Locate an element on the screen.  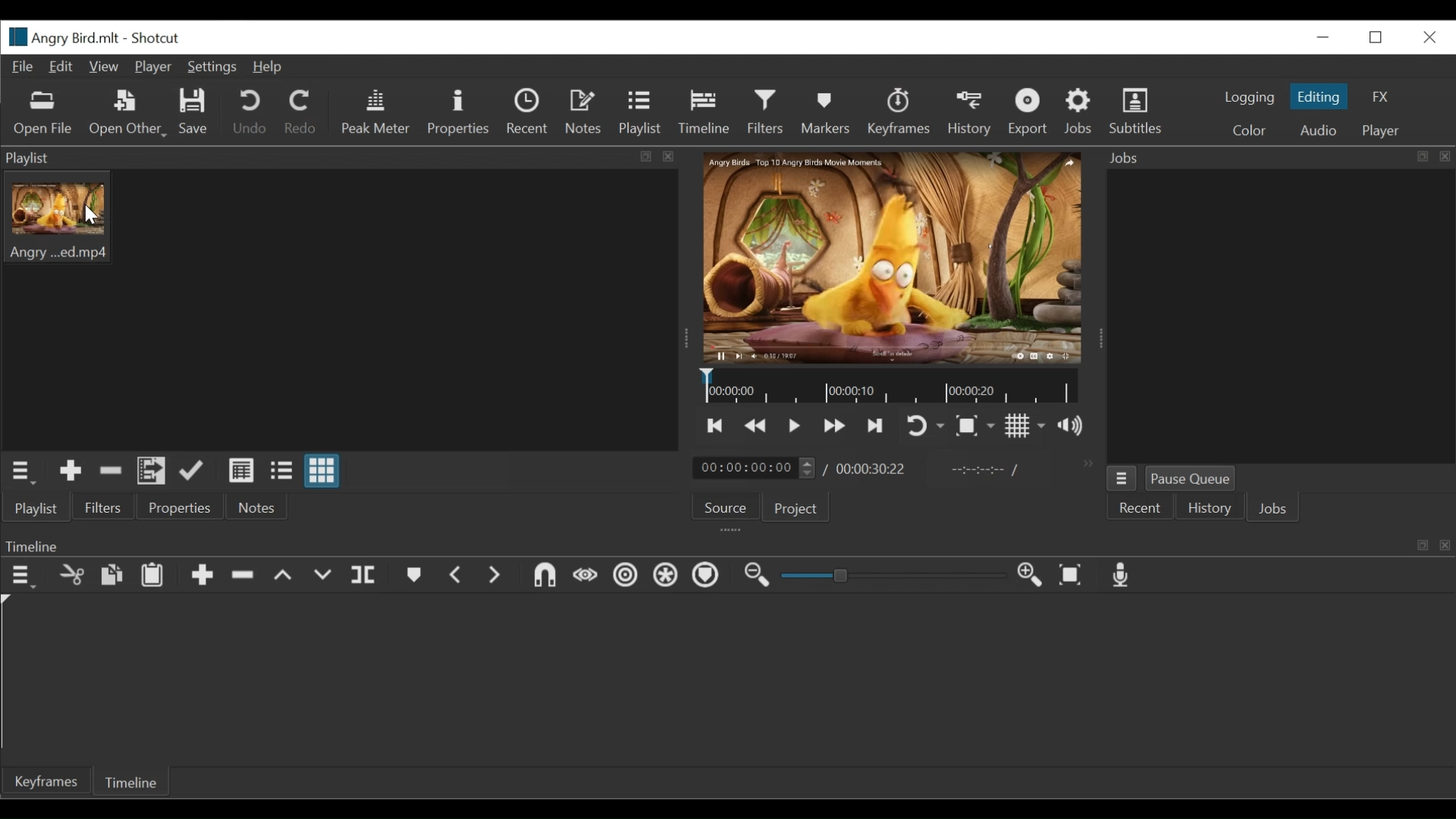
Split playhead is located at coordinates (366, 576).